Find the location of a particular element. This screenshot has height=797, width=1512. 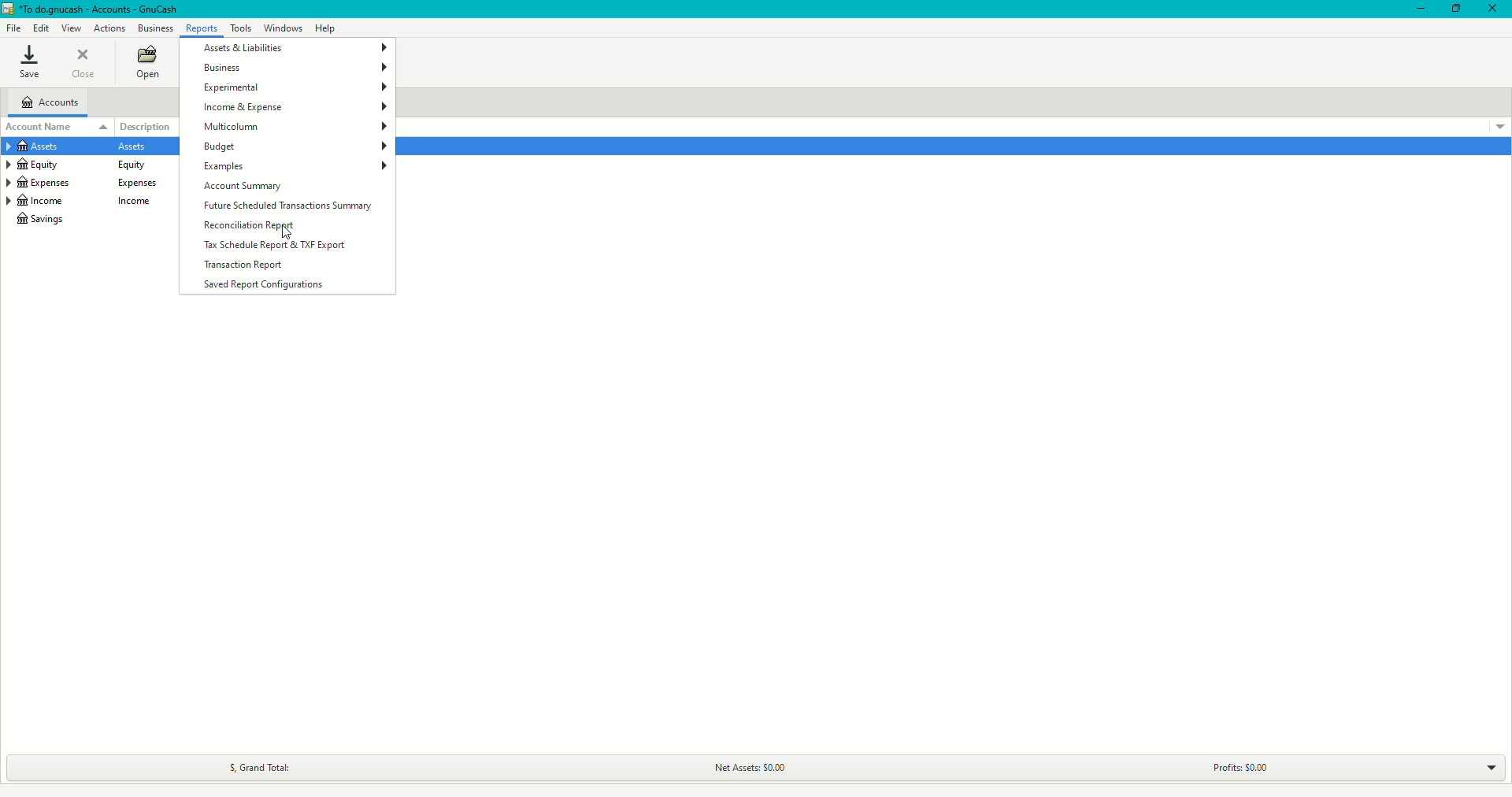

Tools is located at coordinates (243, 30).